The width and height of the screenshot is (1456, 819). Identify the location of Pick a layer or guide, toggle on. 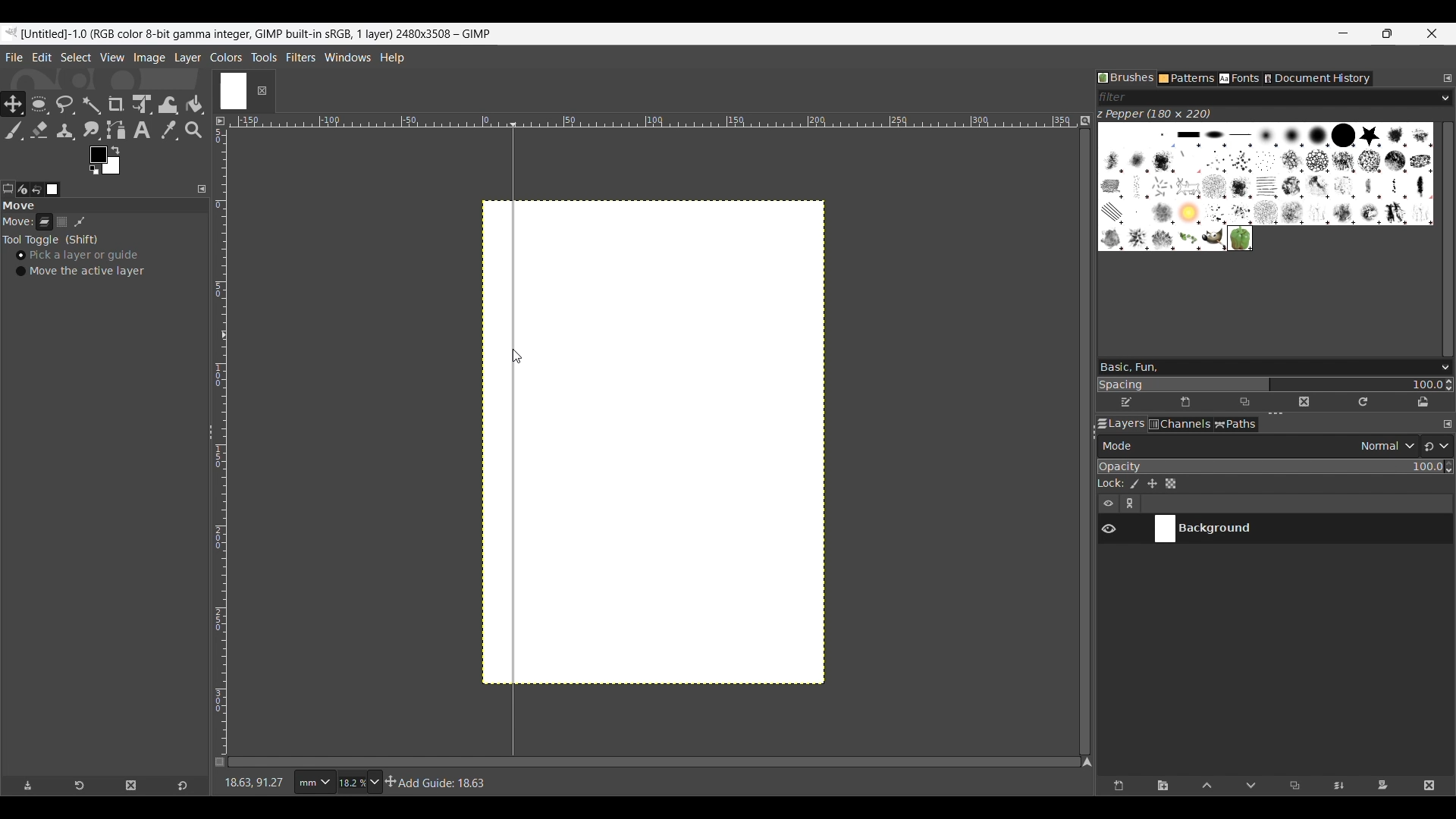
(77, 256).